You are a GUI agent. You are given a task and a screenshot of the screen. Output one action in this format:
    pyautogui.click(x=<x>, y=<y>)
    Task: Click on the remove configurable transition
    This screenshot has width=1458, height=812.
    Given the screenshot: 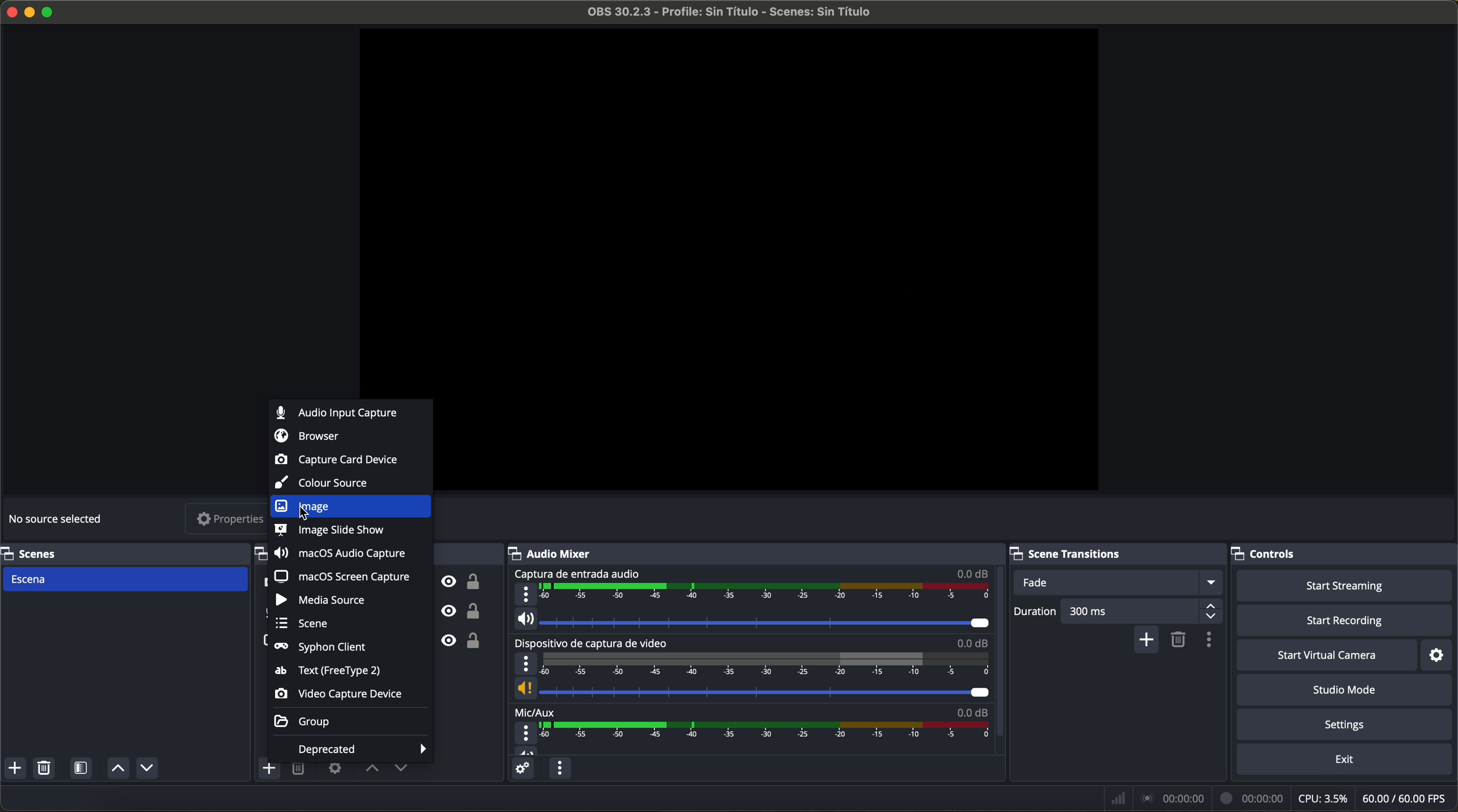 What is the action you would take?
    pyautogui.click(x=1180, y=641)
    